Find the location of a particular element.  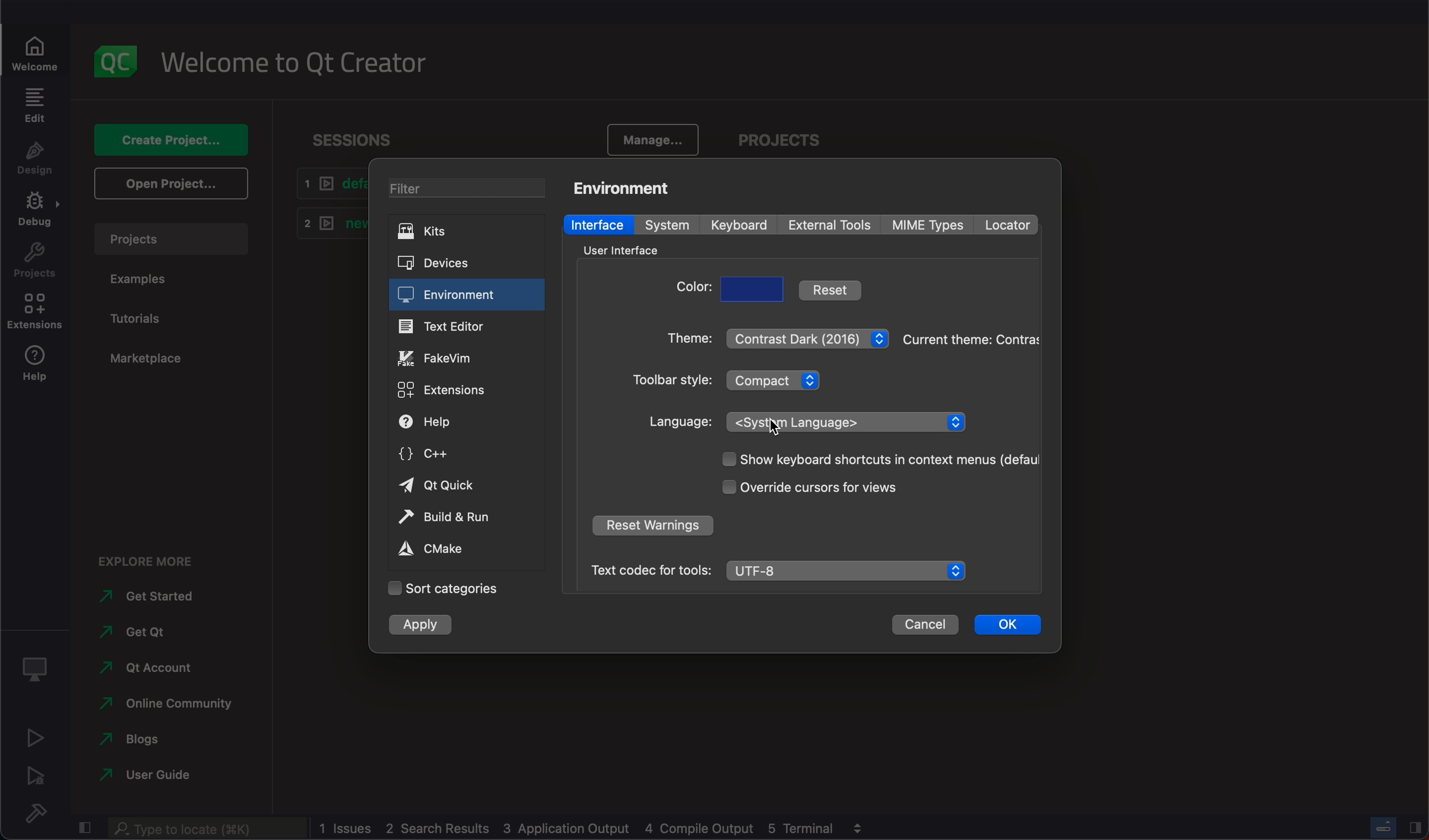

qt account is located at coordinates (151, 671).